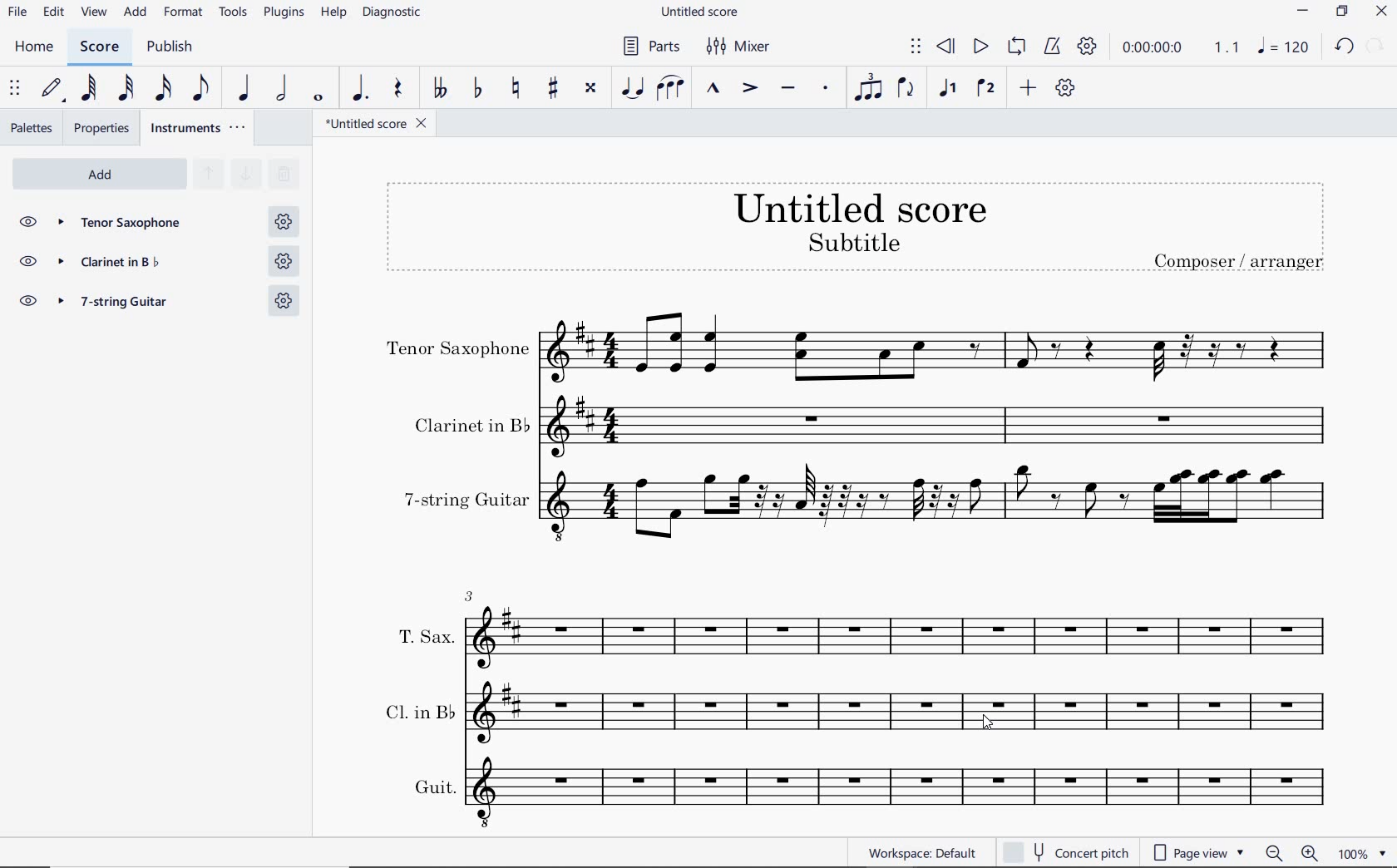 The width and height of the screenshot is (1397, 868). Describe the element at coordinates (281, 88) in the screenshot. I see `HALF NOTE` at that location.